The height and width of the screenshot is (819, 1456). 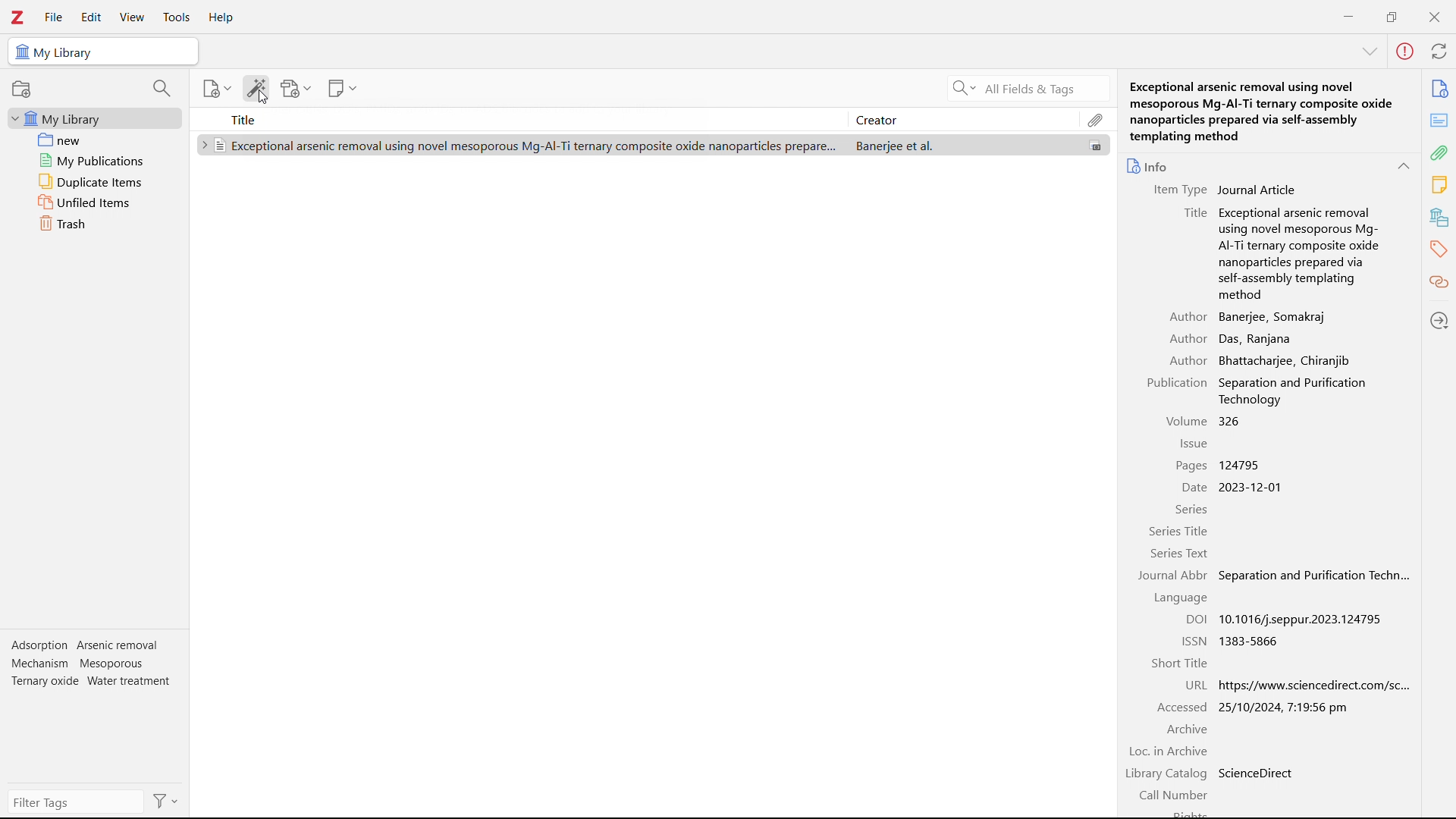 What do you see at coordinates (1440, 319) in the screenshot?
I see `locate` at bounding box center [1440, 319].